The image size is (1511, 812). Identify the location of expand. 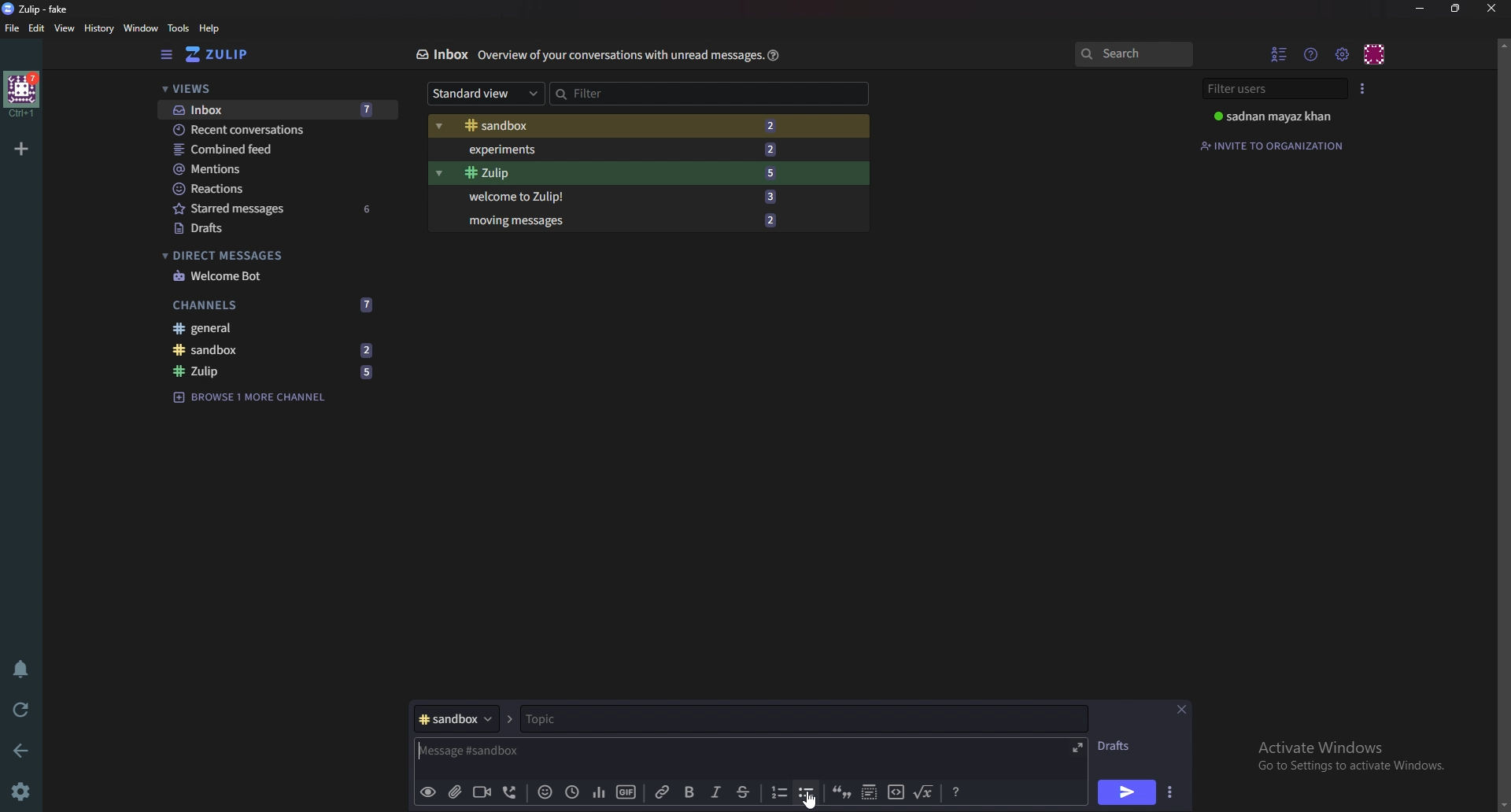
(1075, 747).